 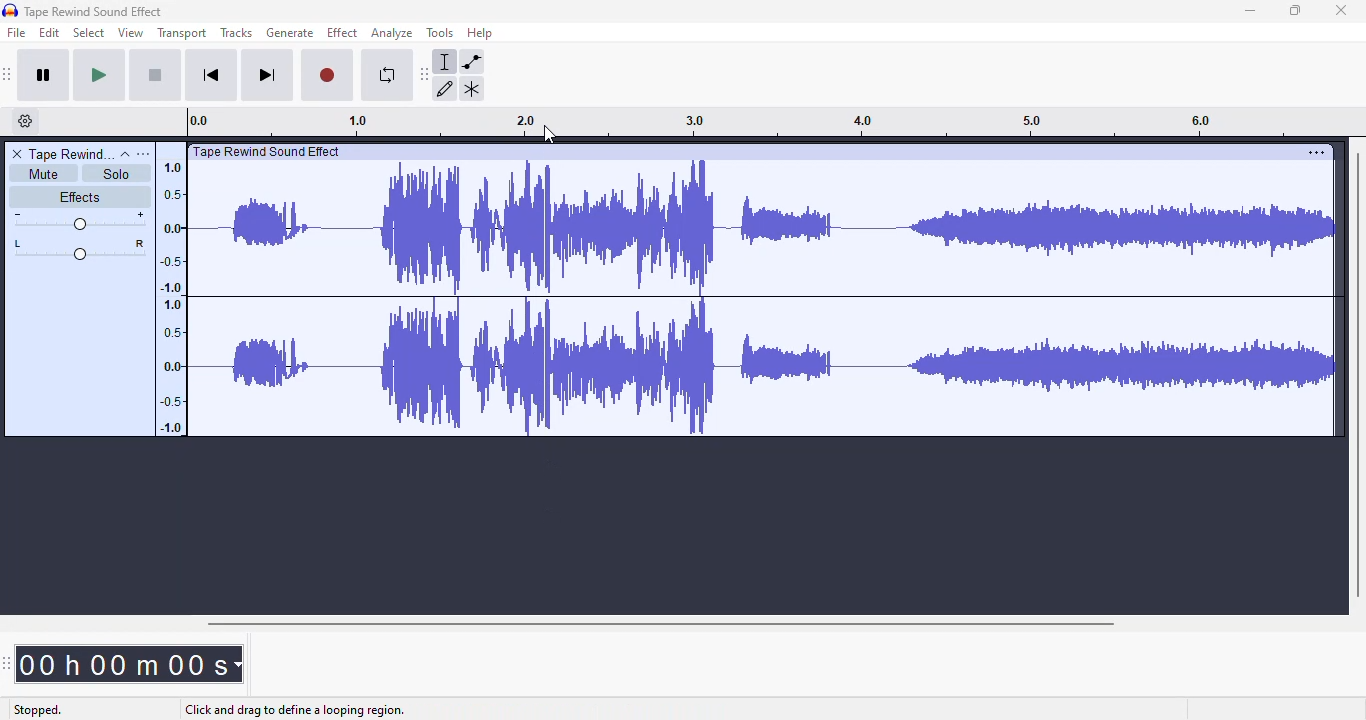 I want to click on logo, so click(x=10, y=9).